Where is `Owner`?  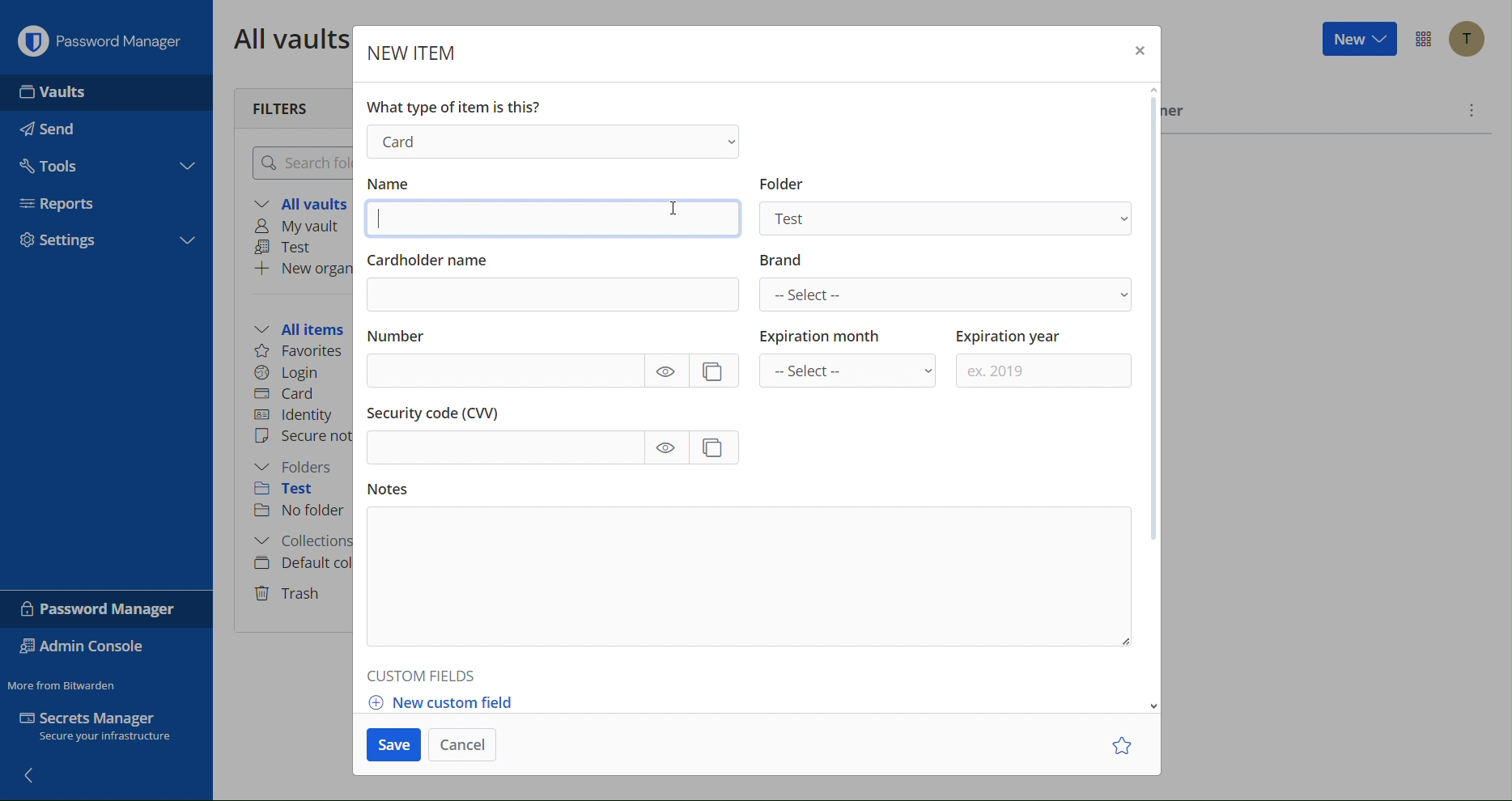 Owner is located at coordinates (1173, 110).